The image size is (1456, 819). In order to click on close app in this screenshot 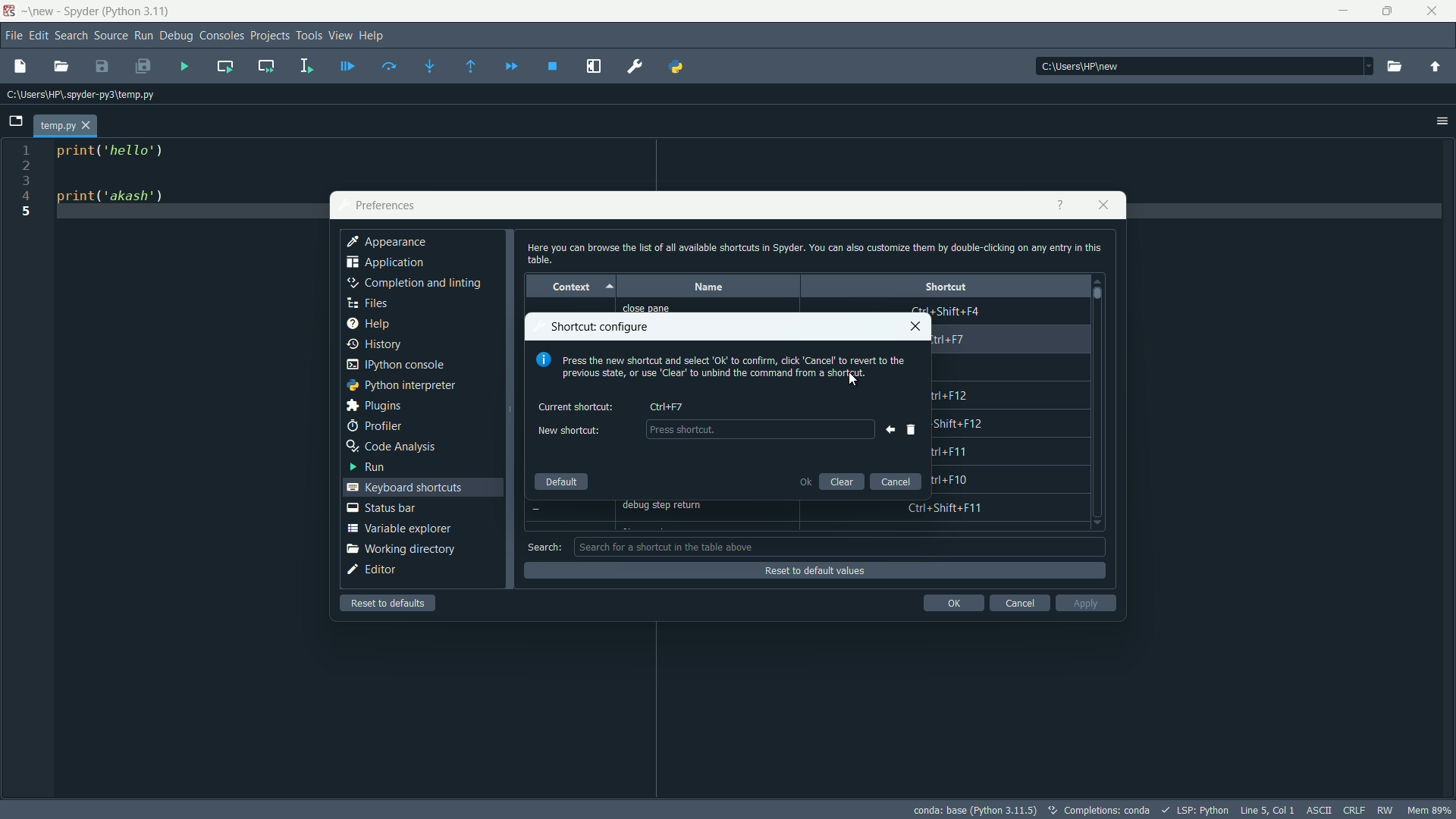, I will do `click(1436, 11)`.